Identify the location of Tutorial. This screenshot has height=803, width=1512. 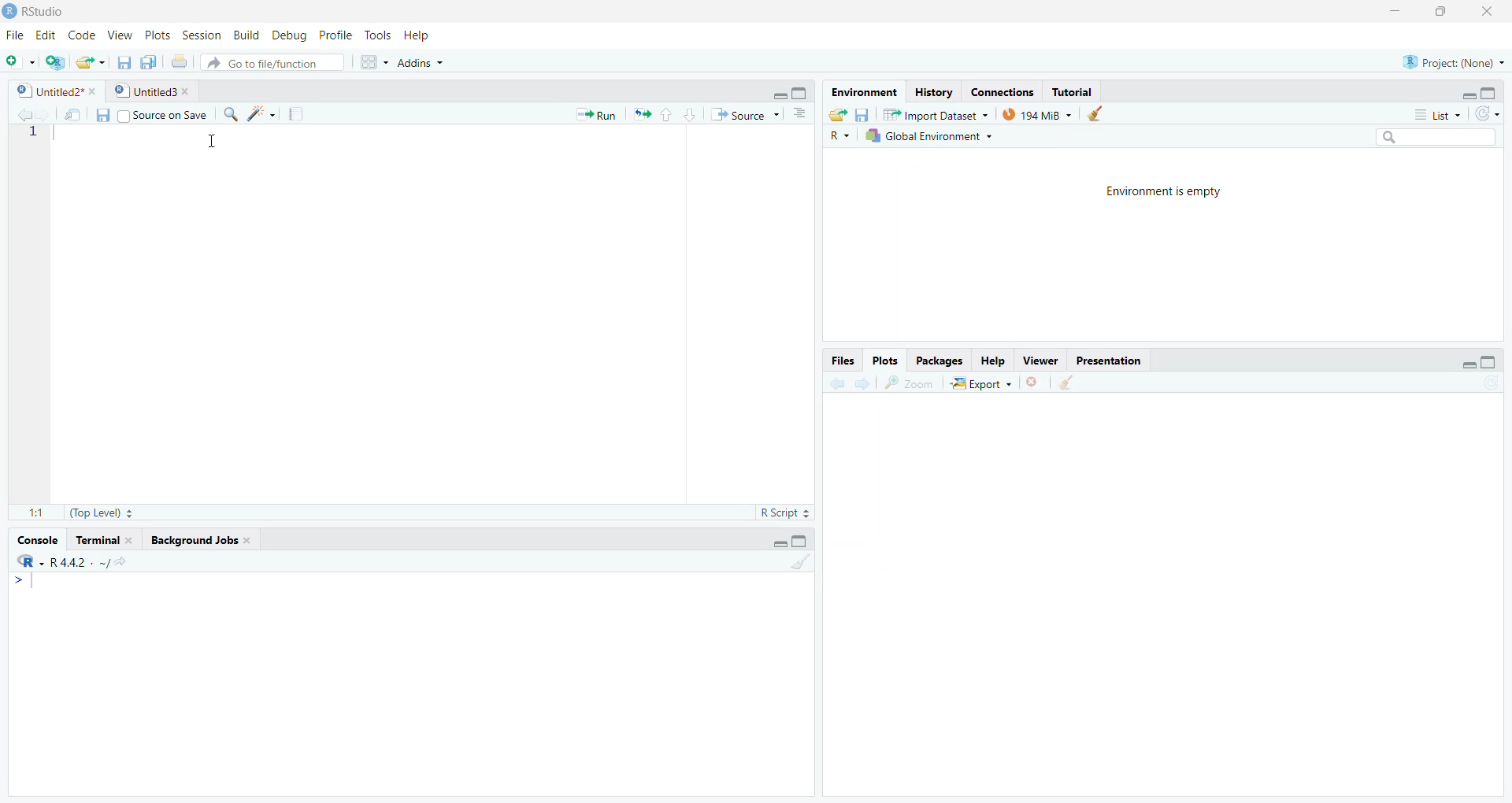
(1077, 92).